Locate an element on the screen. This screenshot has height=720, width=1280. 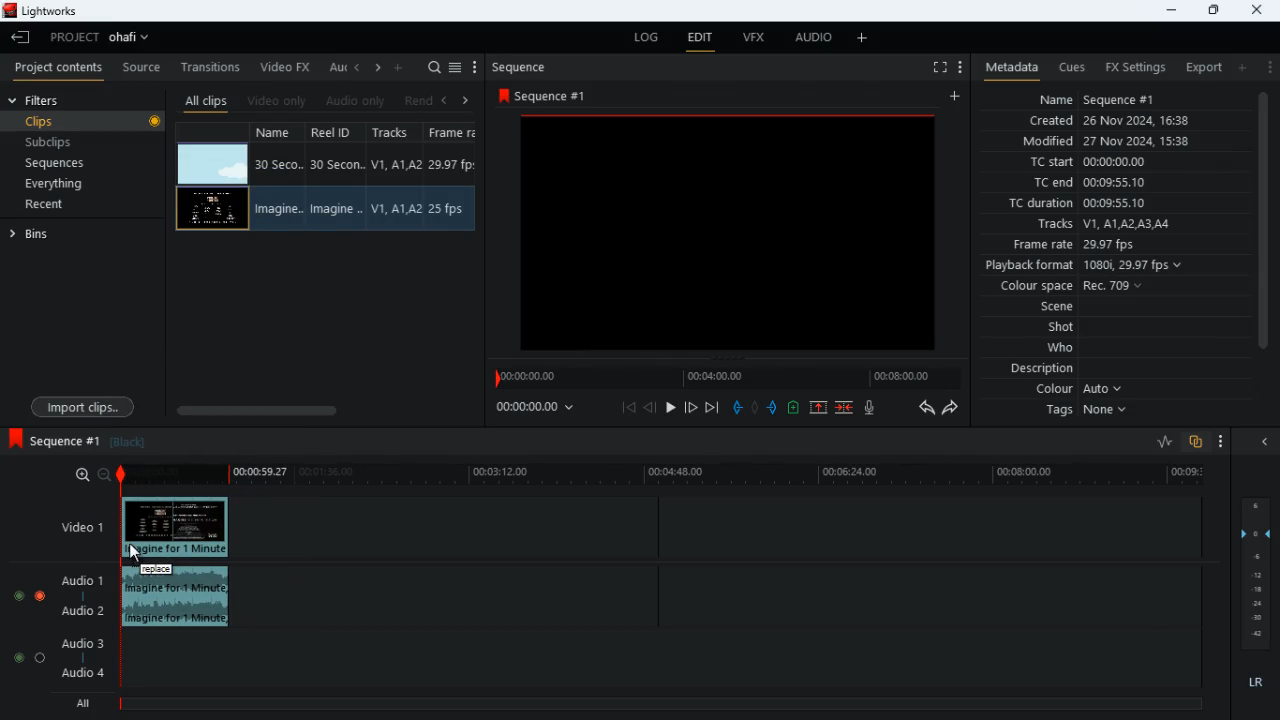
lr is located at coordinates (1256, 683).